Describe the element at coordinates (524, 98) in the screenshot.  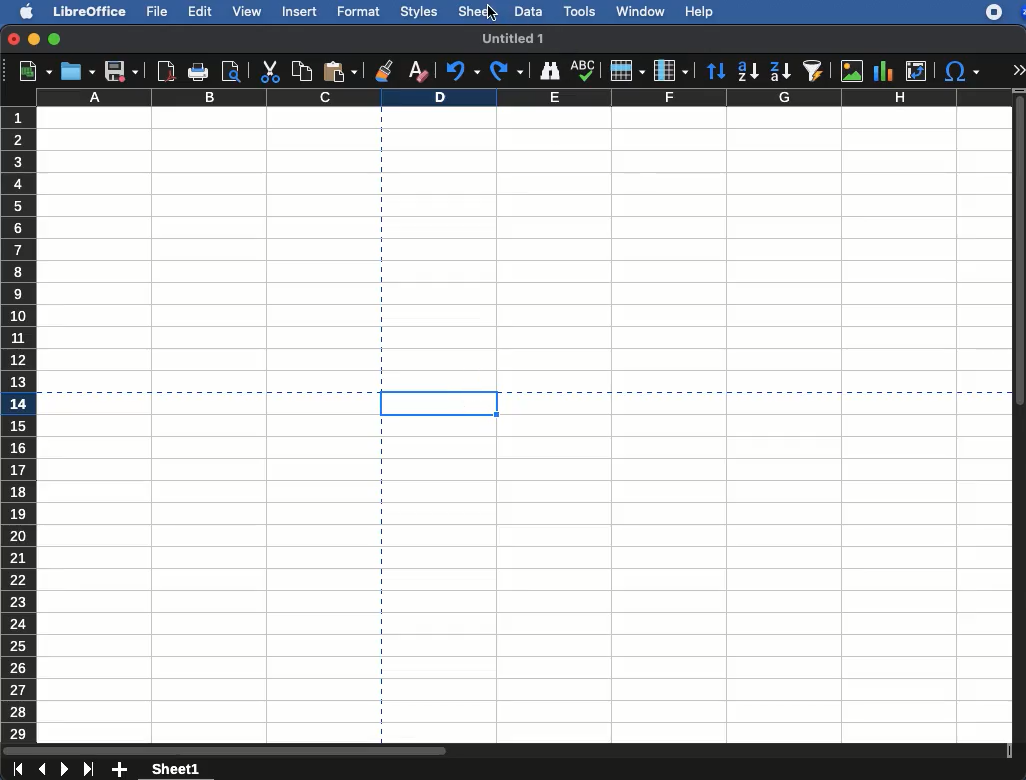
I see `column` at that location.